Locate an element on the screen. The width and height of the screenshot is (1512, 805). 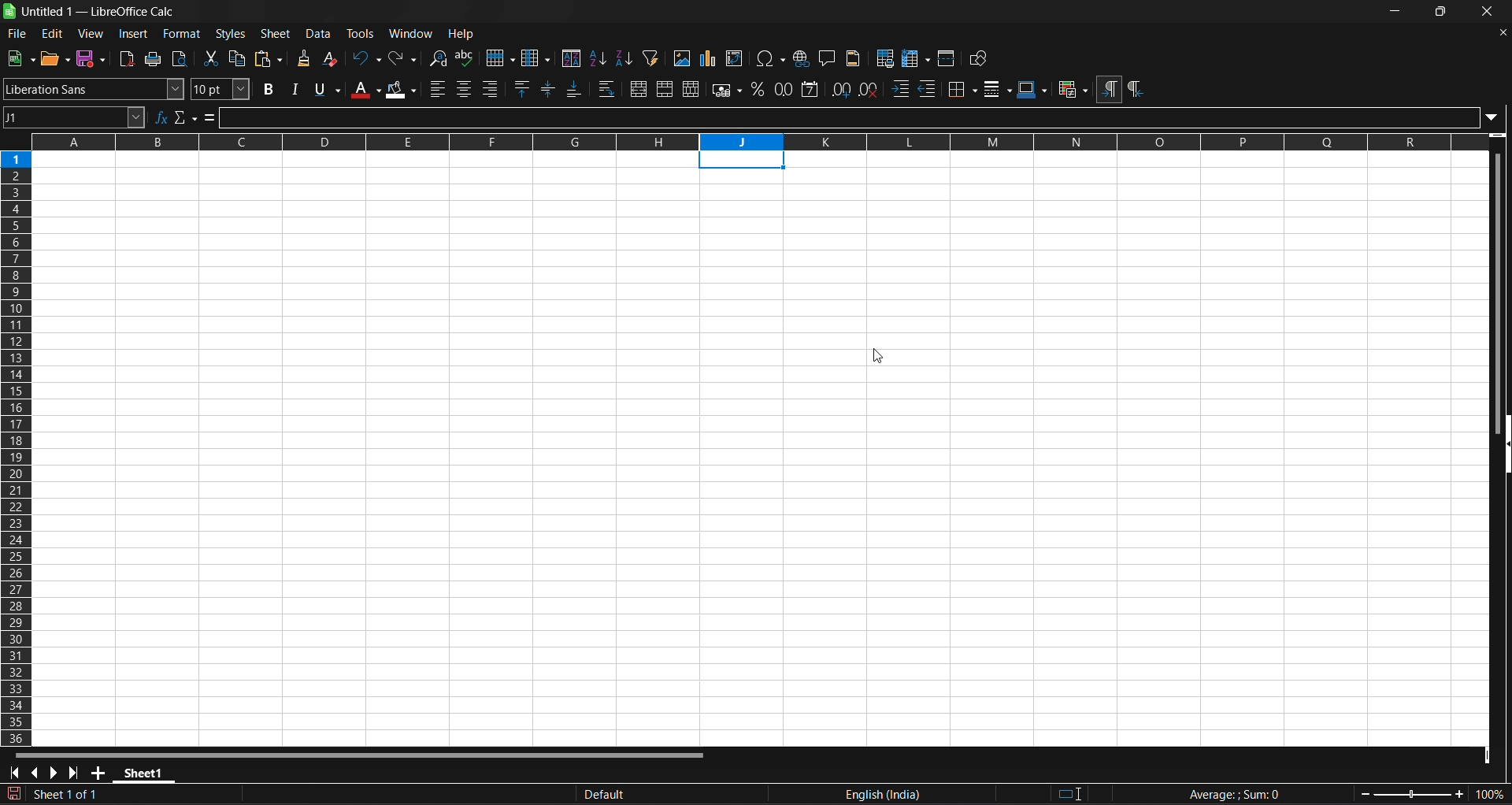
cursor is located at coordinates (880, 354).